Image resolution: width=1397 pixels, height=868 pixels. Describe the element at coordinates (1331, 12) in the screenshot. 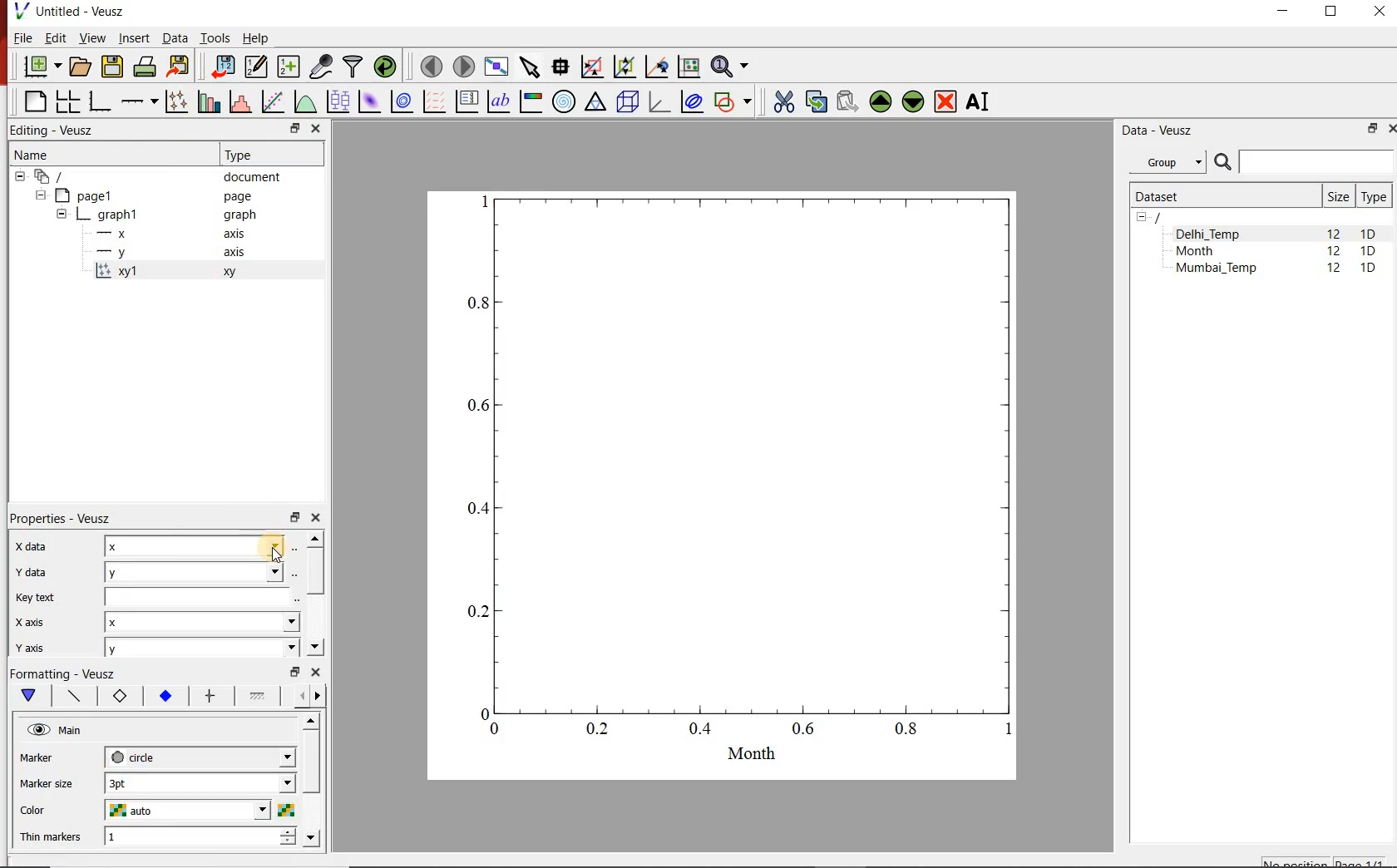

I see `RESTORE` at that location.